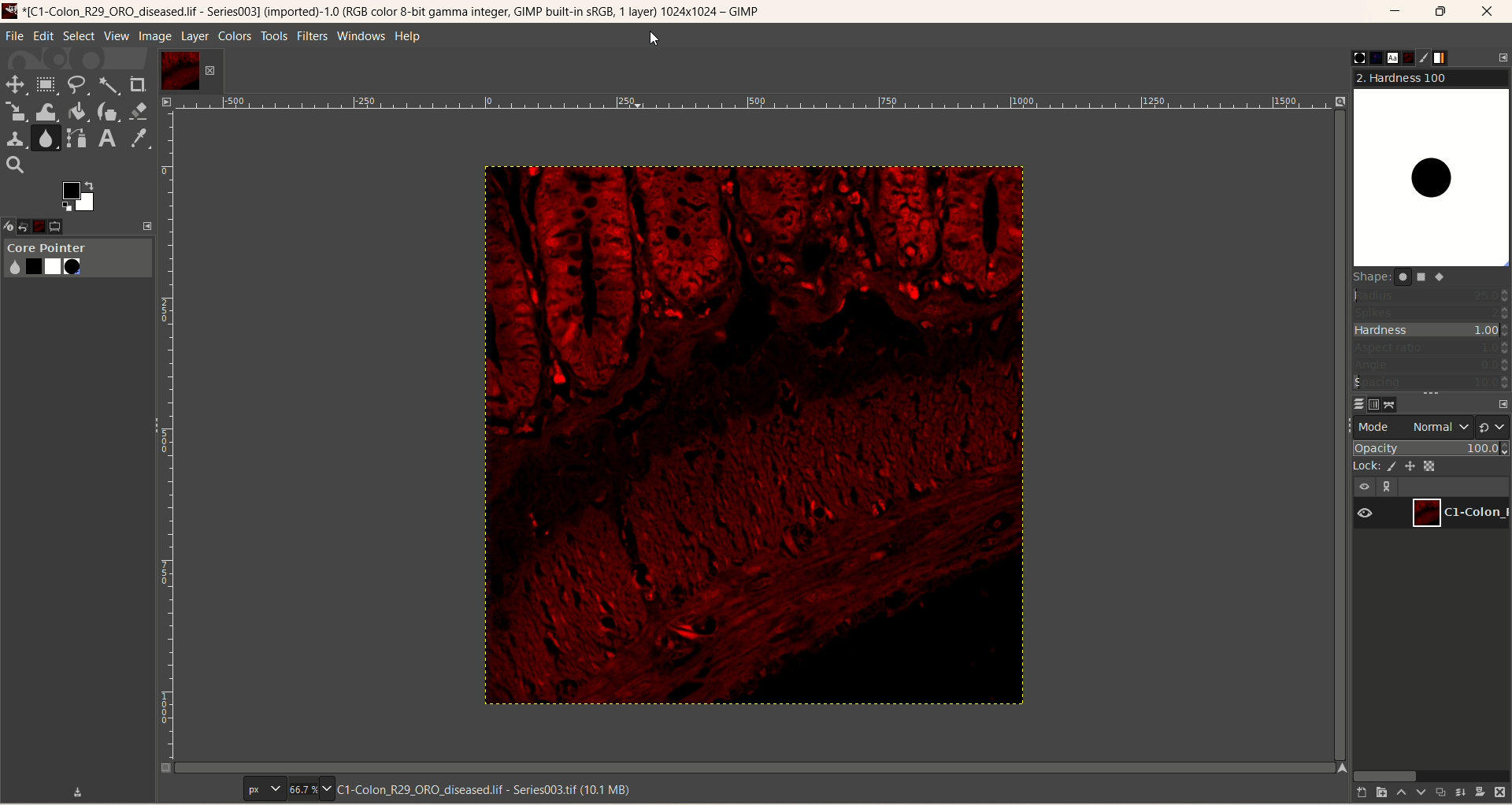  Describe the element at coordinates (1480, 791) in the screenshot. I see `add a mask` at that location.